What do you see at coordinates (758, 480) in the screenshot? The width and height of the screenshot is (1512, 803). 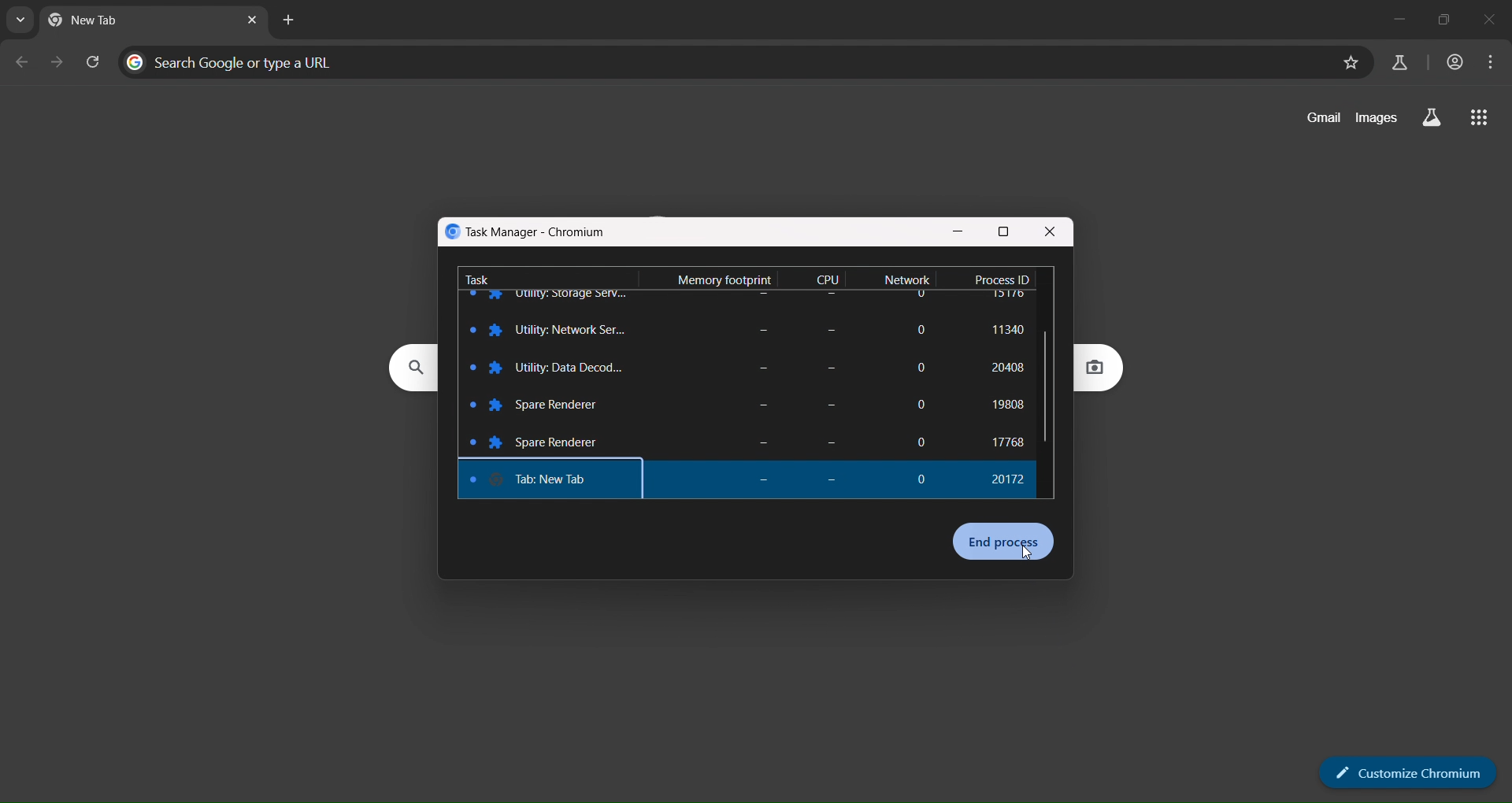 I see `14,832K` at bounding box center [758, 480].